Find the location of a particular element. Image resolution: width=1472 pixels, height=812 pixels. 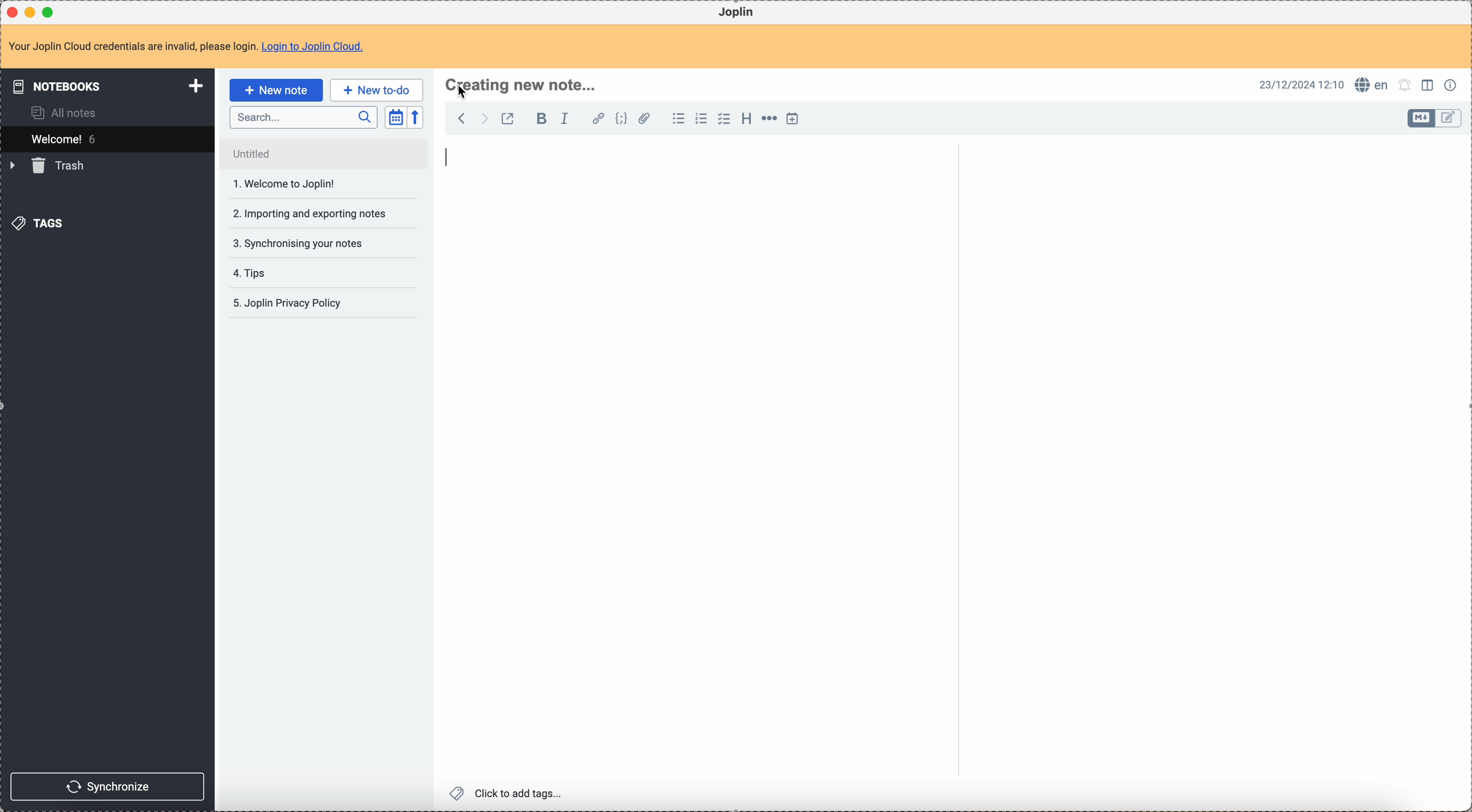

5. Joplin privacy policy is located at coordinates (289, 304).